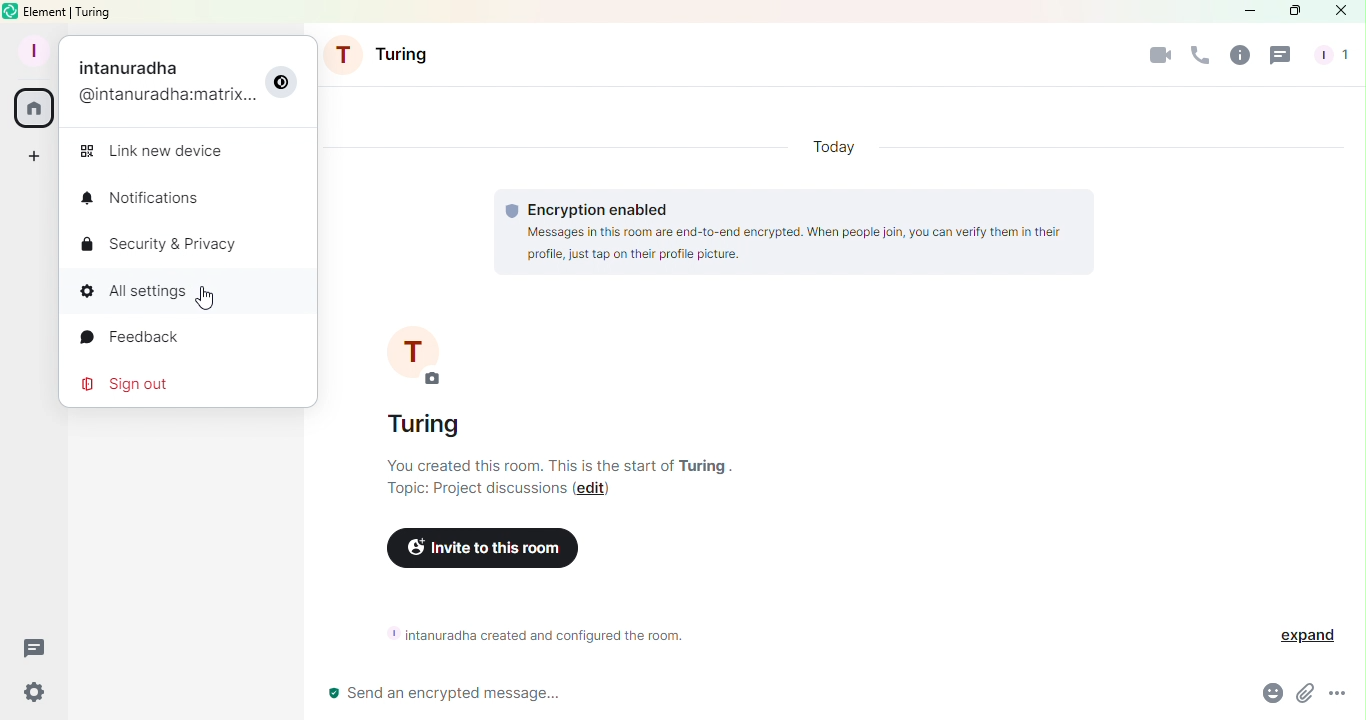 Image resolution: width=1366 pixels, height=720 pixels. I want to click on Profile picture, so click(421, 352).